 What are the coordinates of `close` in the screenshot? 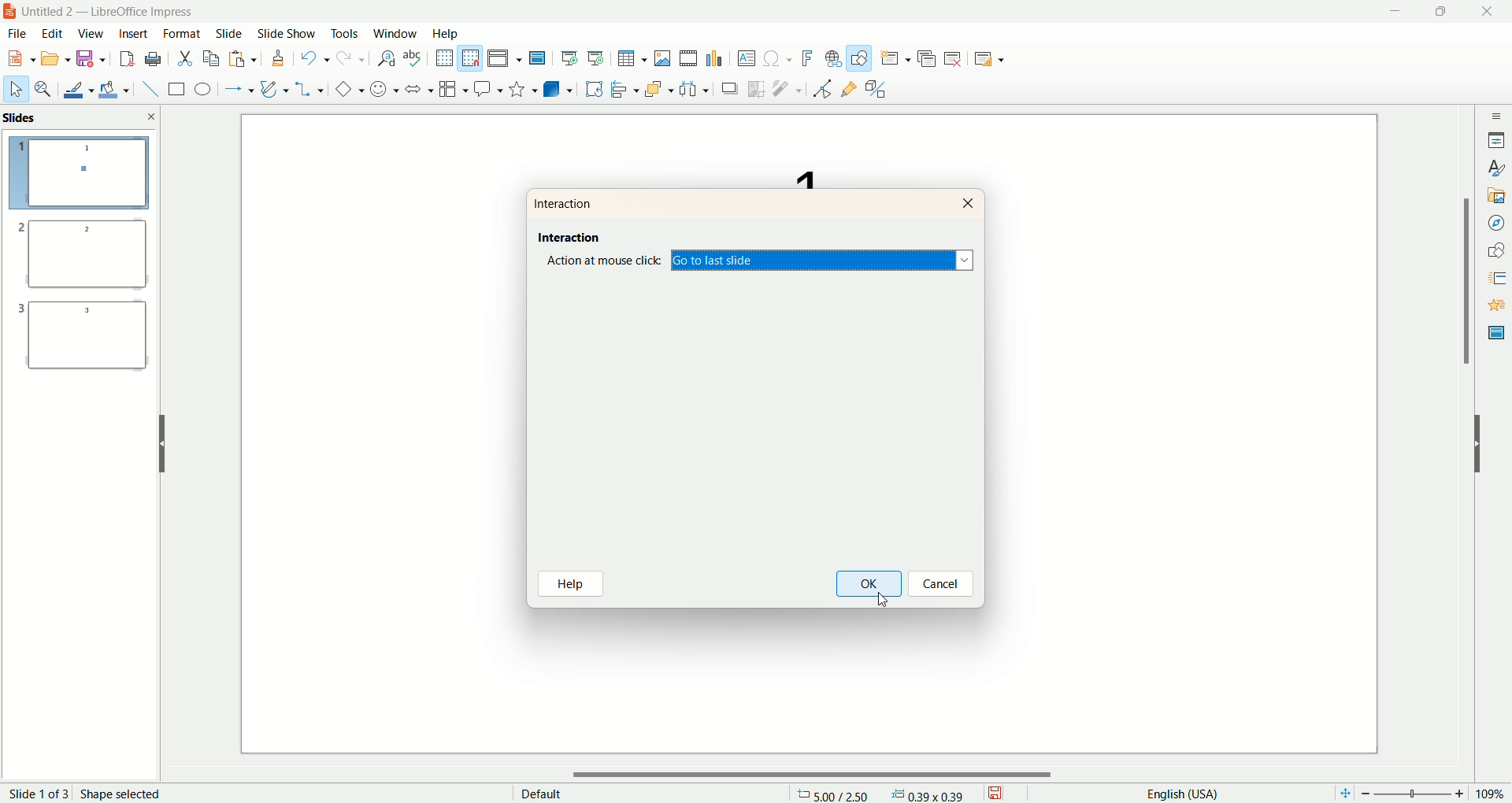 It's located at (1488, 13).